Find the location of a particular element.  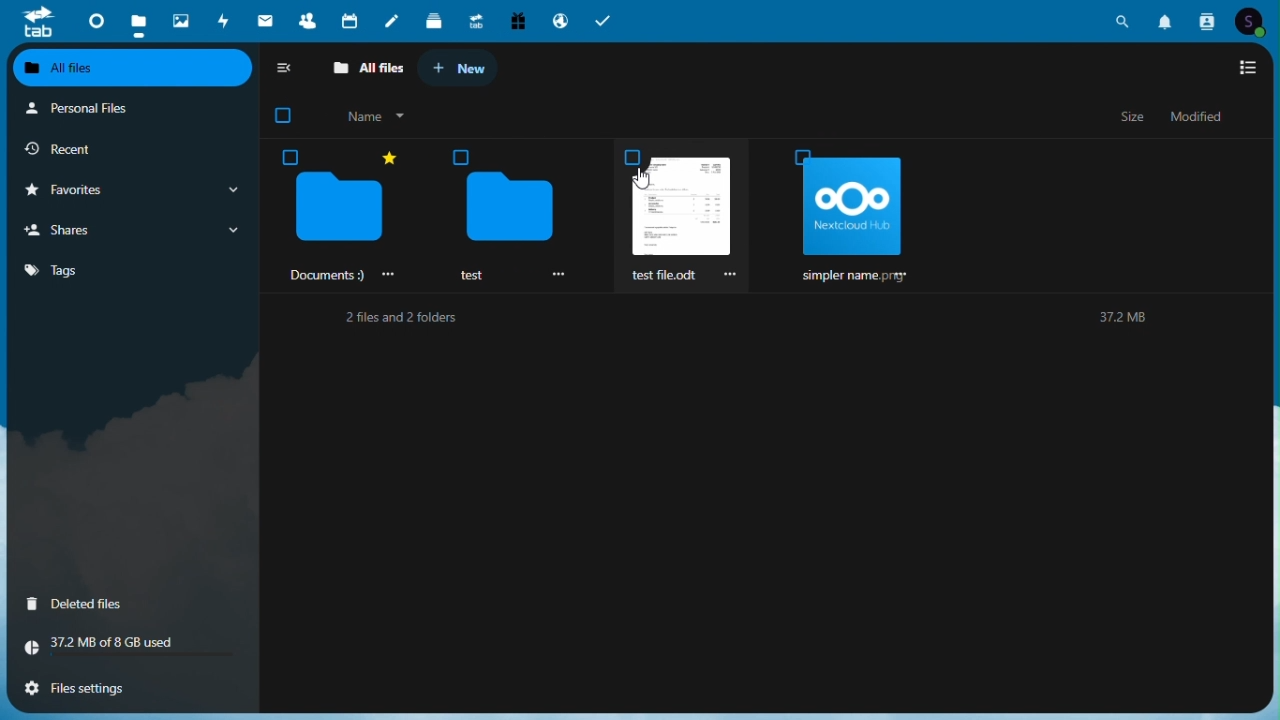

deck is located at coordinates (434, 21).